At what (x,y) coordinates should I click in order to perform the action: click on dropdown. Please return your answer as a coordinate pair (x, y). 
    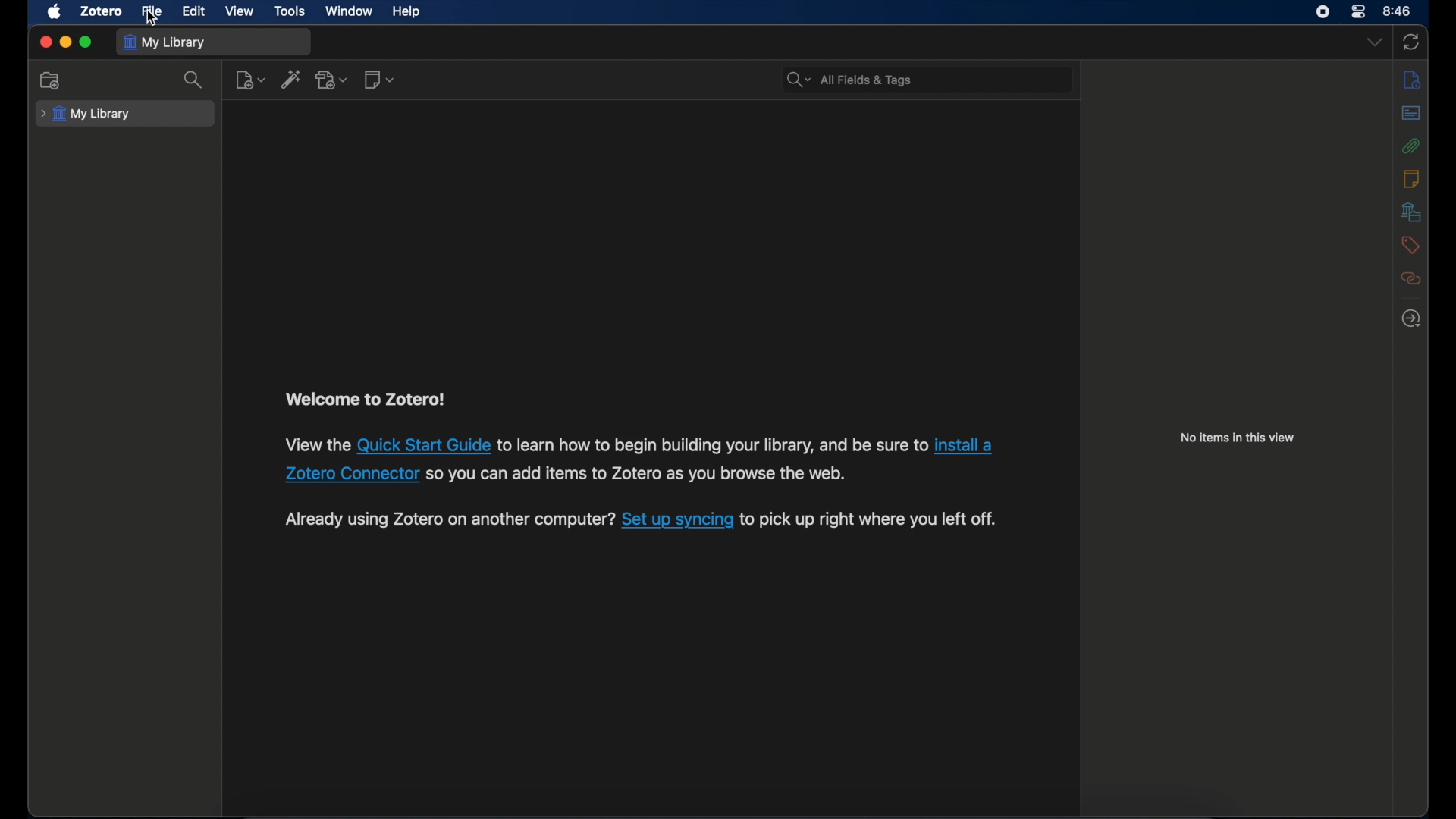
    Looking at the image, I should click on (1374, 42).